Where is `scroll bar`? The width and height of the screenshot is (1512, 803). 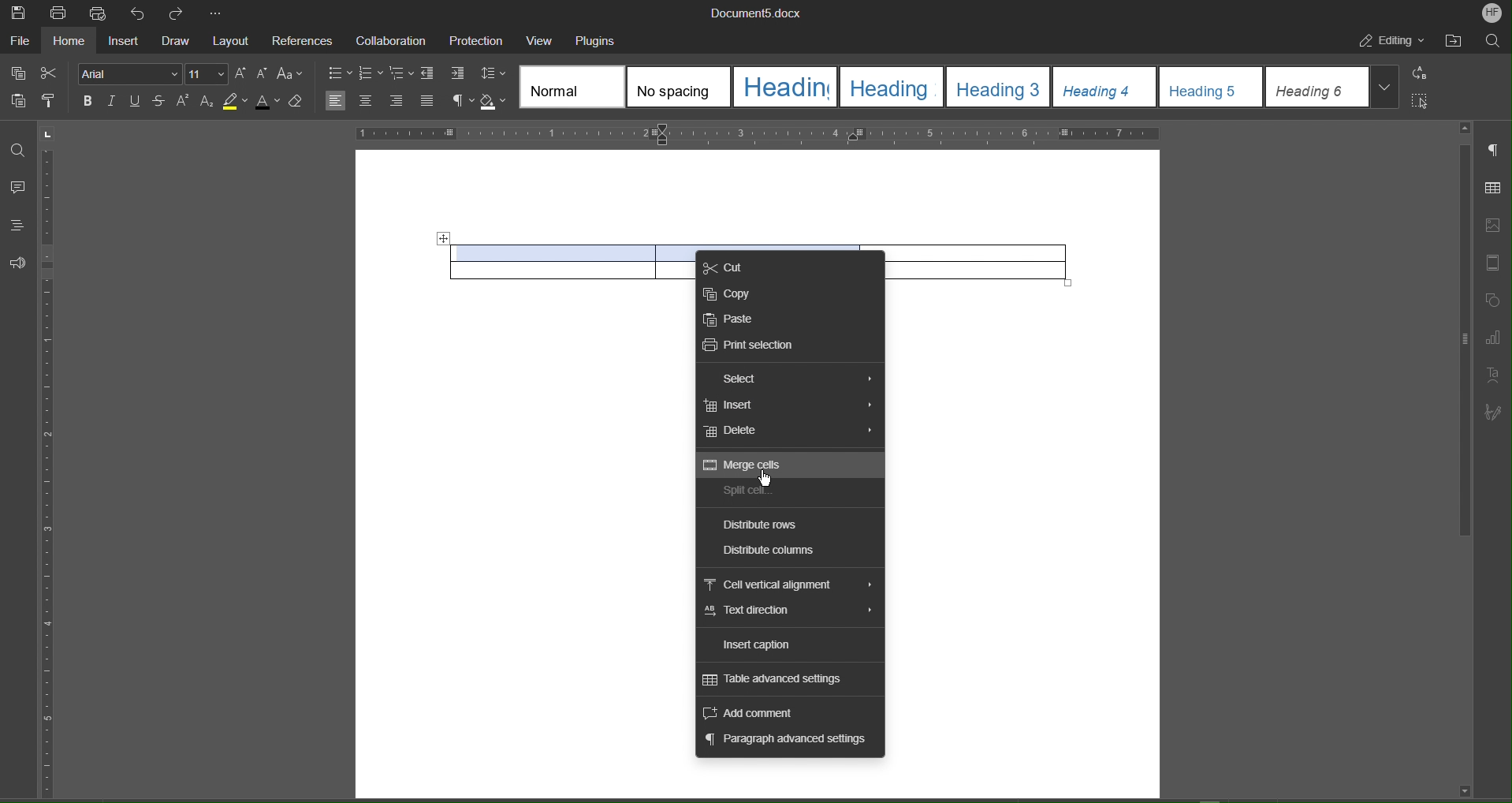 scroll bar is located at coordinates (1462, 342).